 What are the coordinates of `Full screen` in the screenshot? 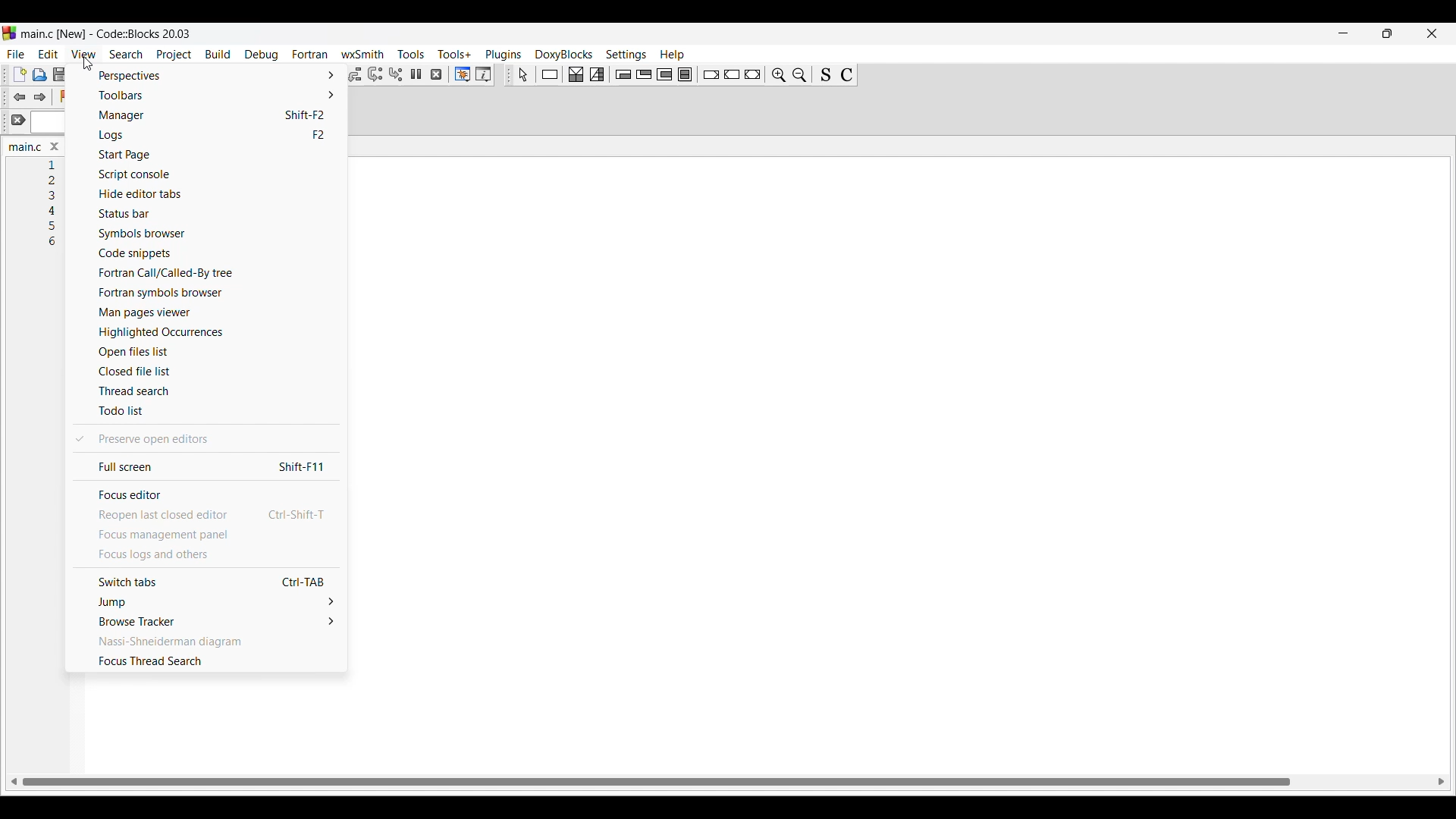 It's located at (204, 467).